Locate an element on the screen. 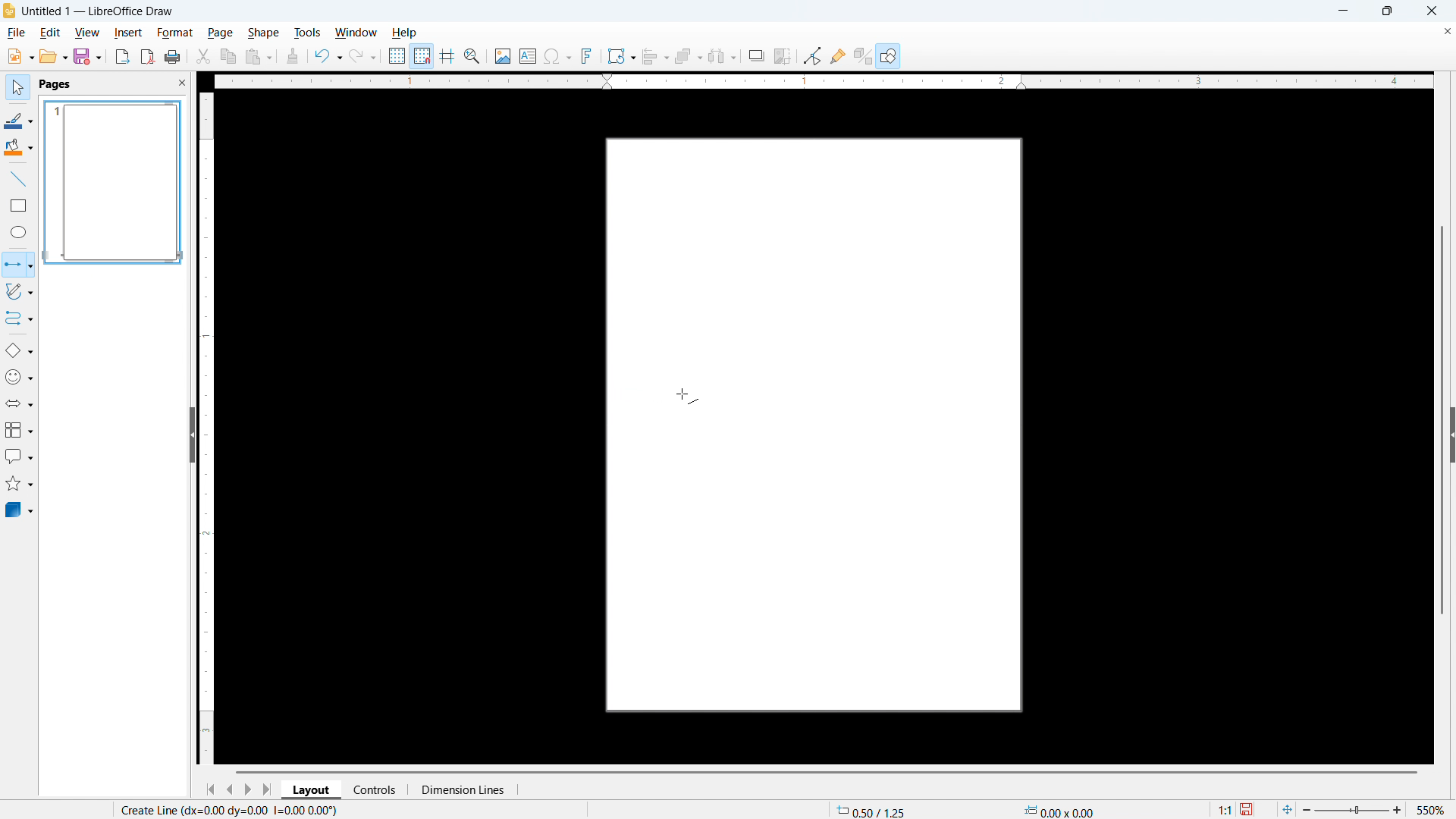 The image size is (1456, 819). stars & banners is located at coordinates (19, 483).